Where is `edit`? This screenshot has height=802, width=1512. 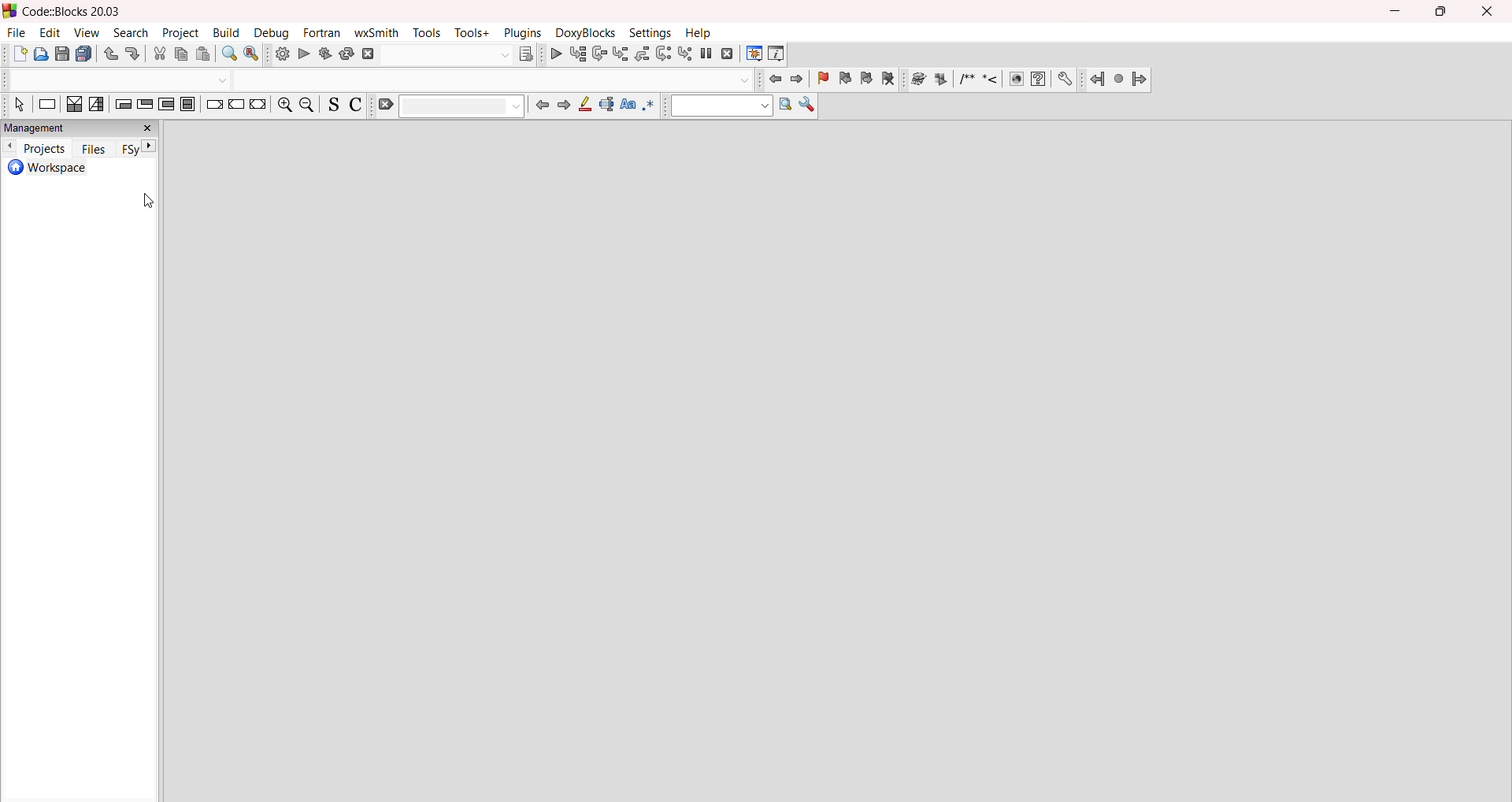
edit is located at coordinates (50, 32).